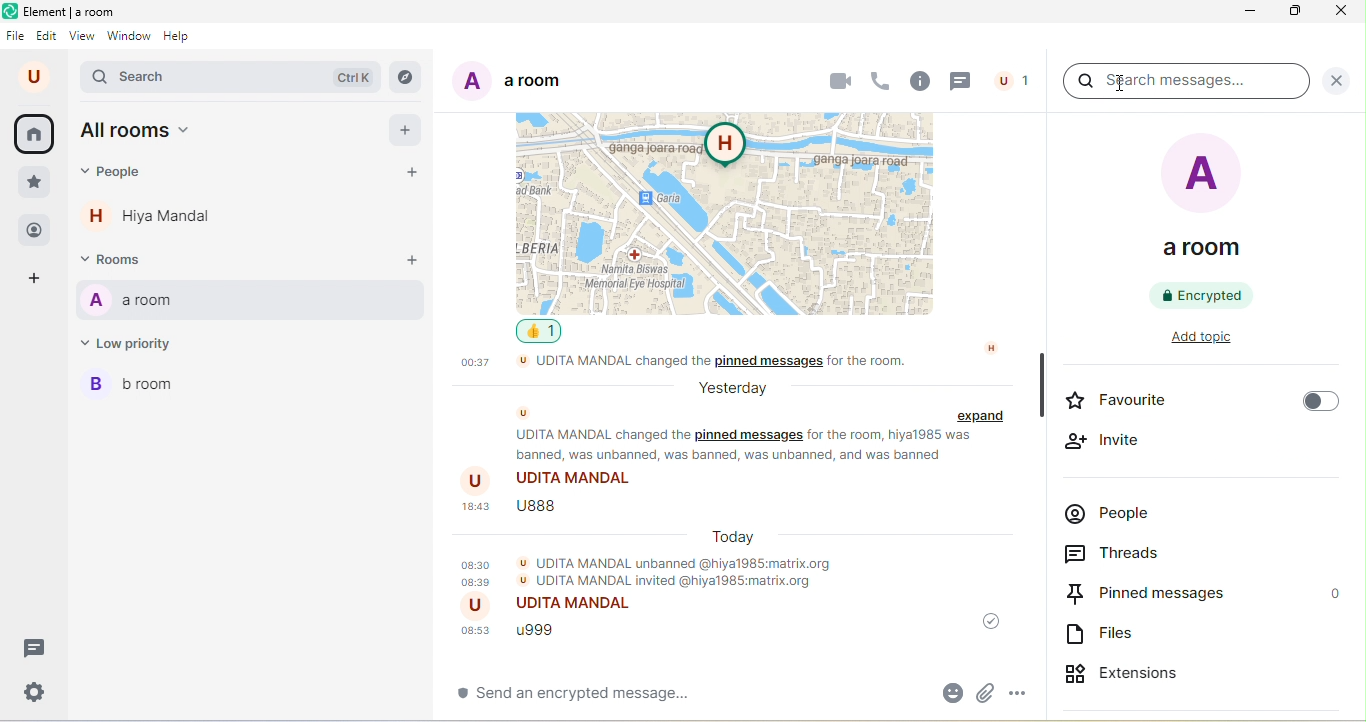 The height and width of the screenshot is (722, 1366). What do you see at coordinates (17, 36) in the screenshot?
I see `file` at bounding box center [17, 36].